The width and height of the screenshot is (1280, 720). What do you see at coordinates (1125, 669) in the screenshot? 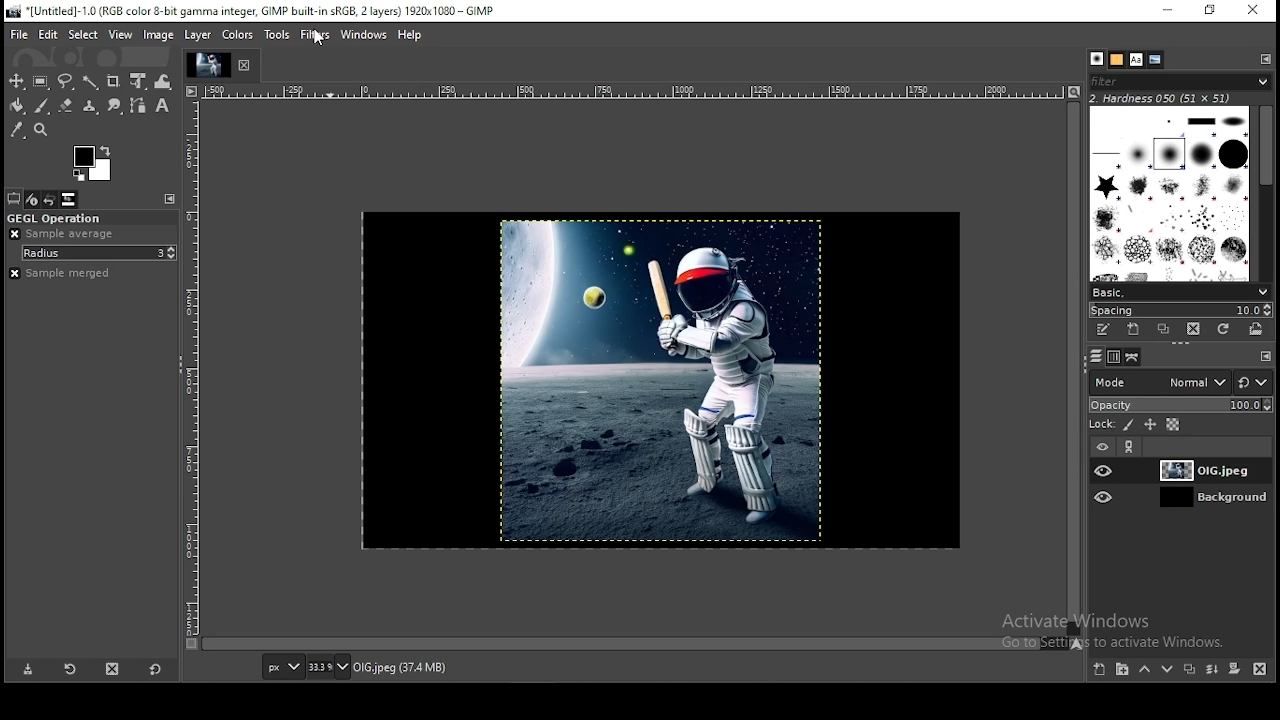
I see `create a new layer group` at bounding box center [1125, 669].